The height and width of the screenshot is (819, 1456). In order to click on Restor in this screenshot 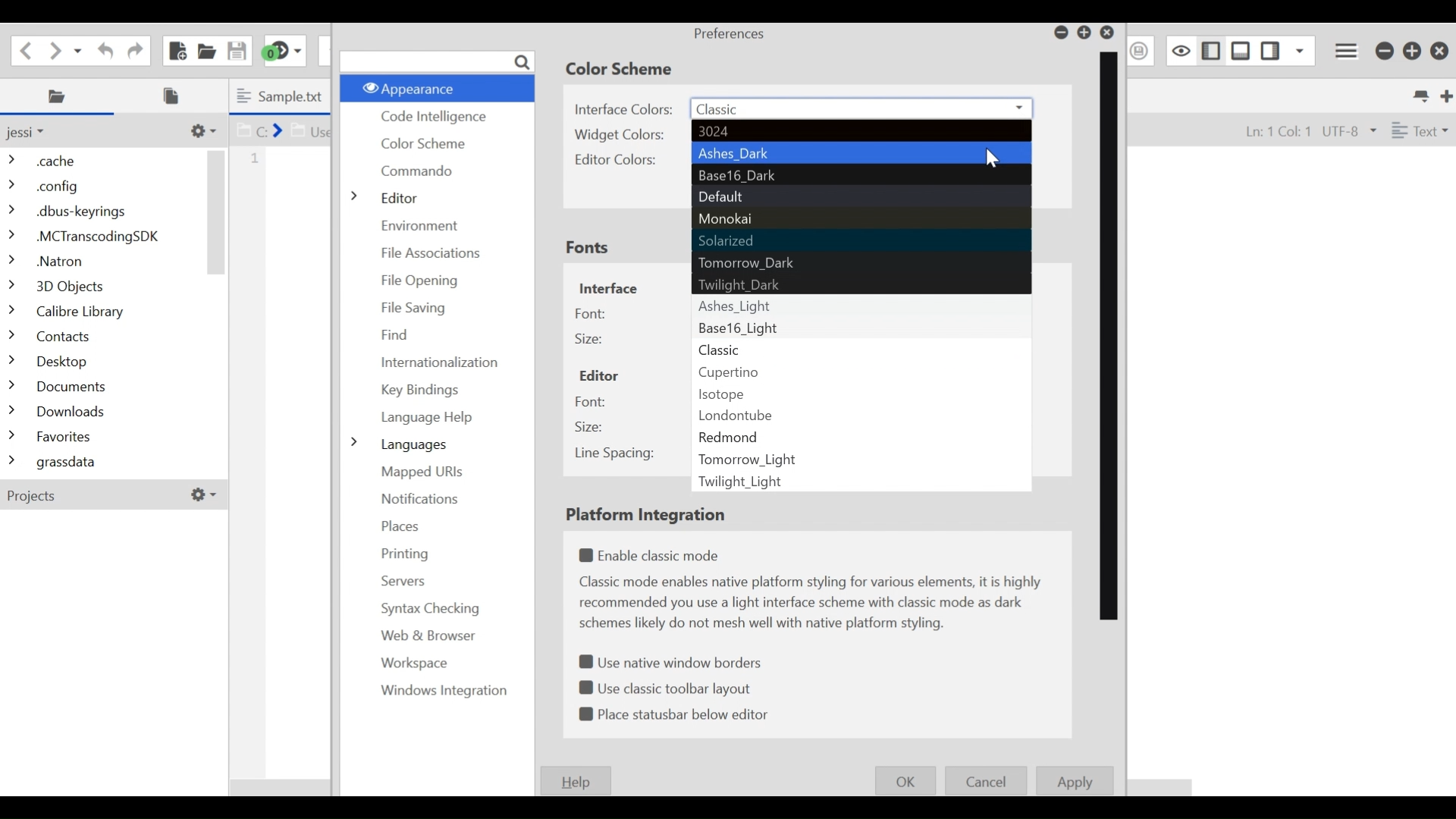, I will do `click(1084, 33)`.